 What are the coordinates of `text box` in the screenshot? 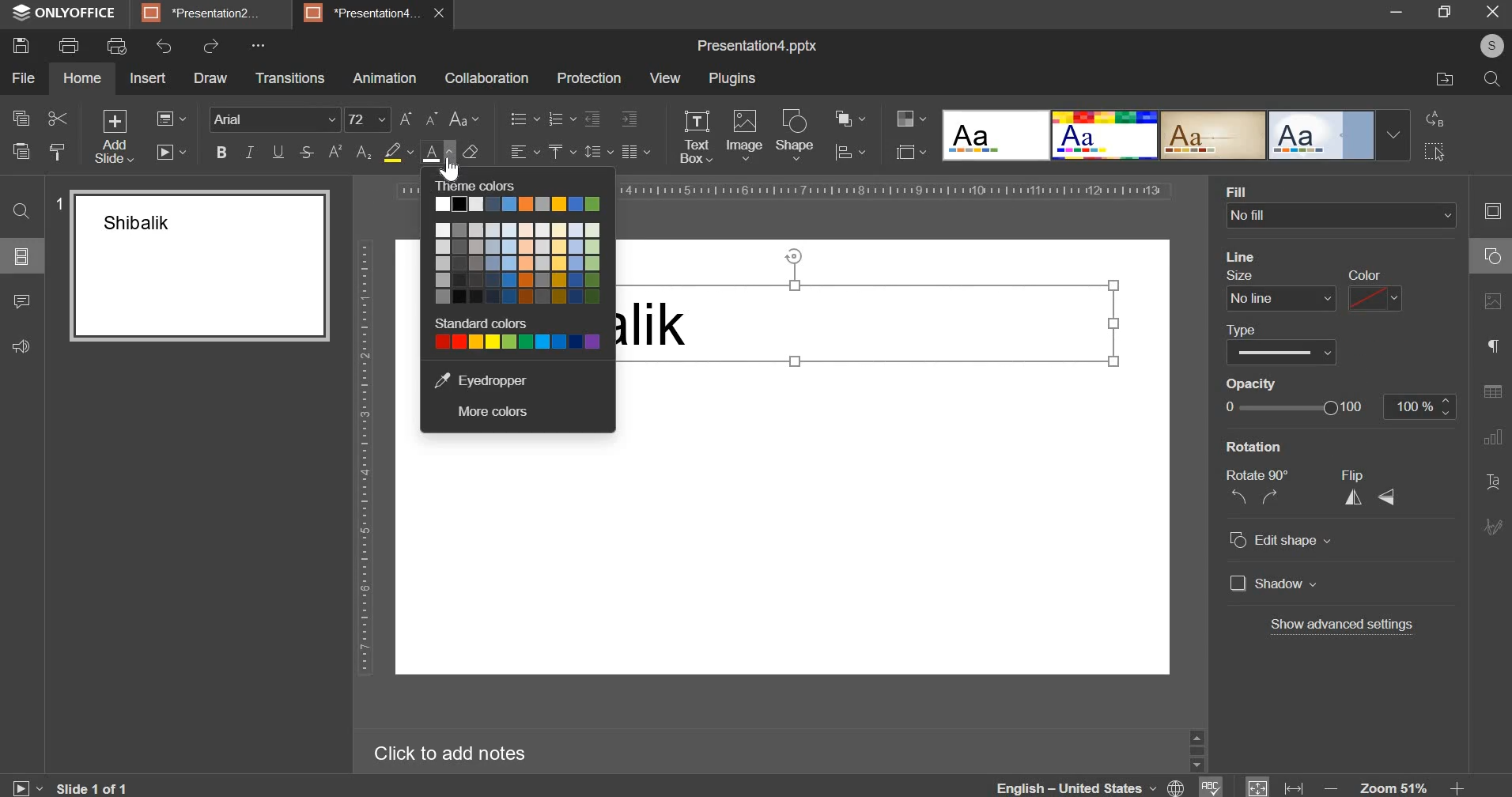 It's located at (696, 137).